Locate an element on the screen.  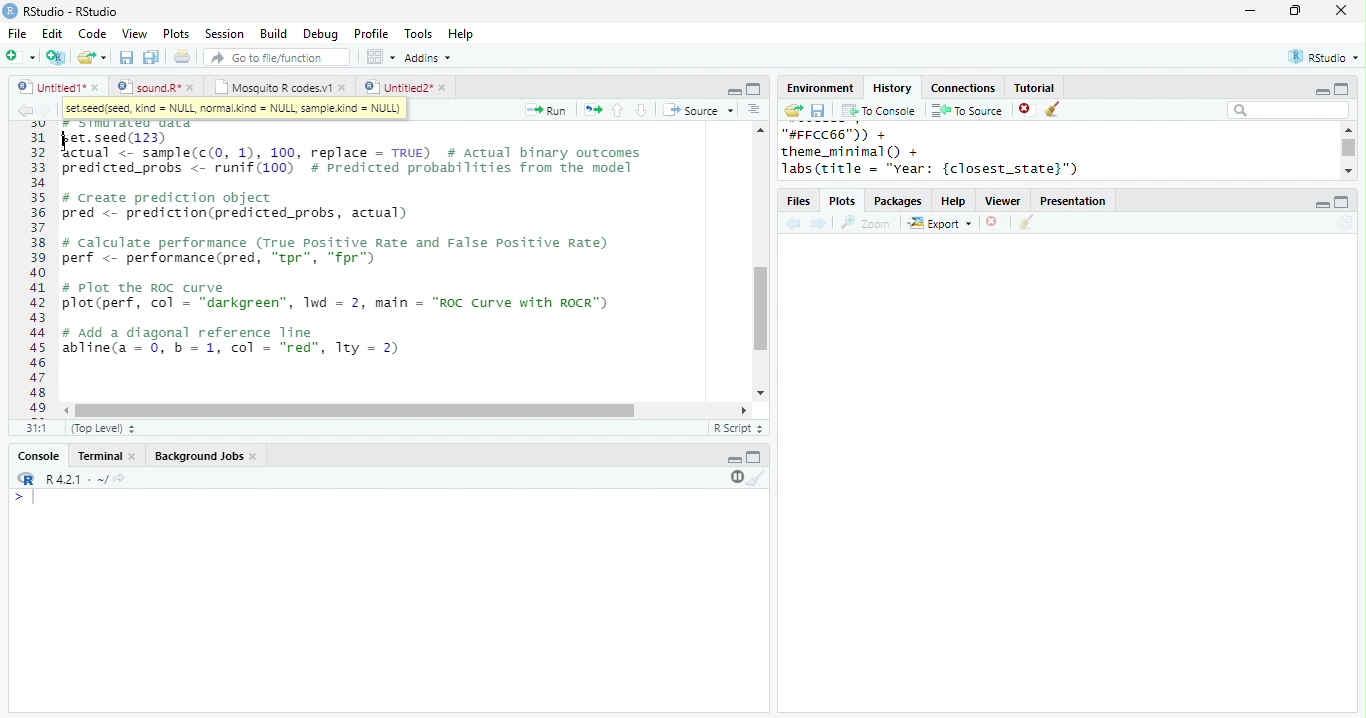
Code is located at coordinates (92, 33).